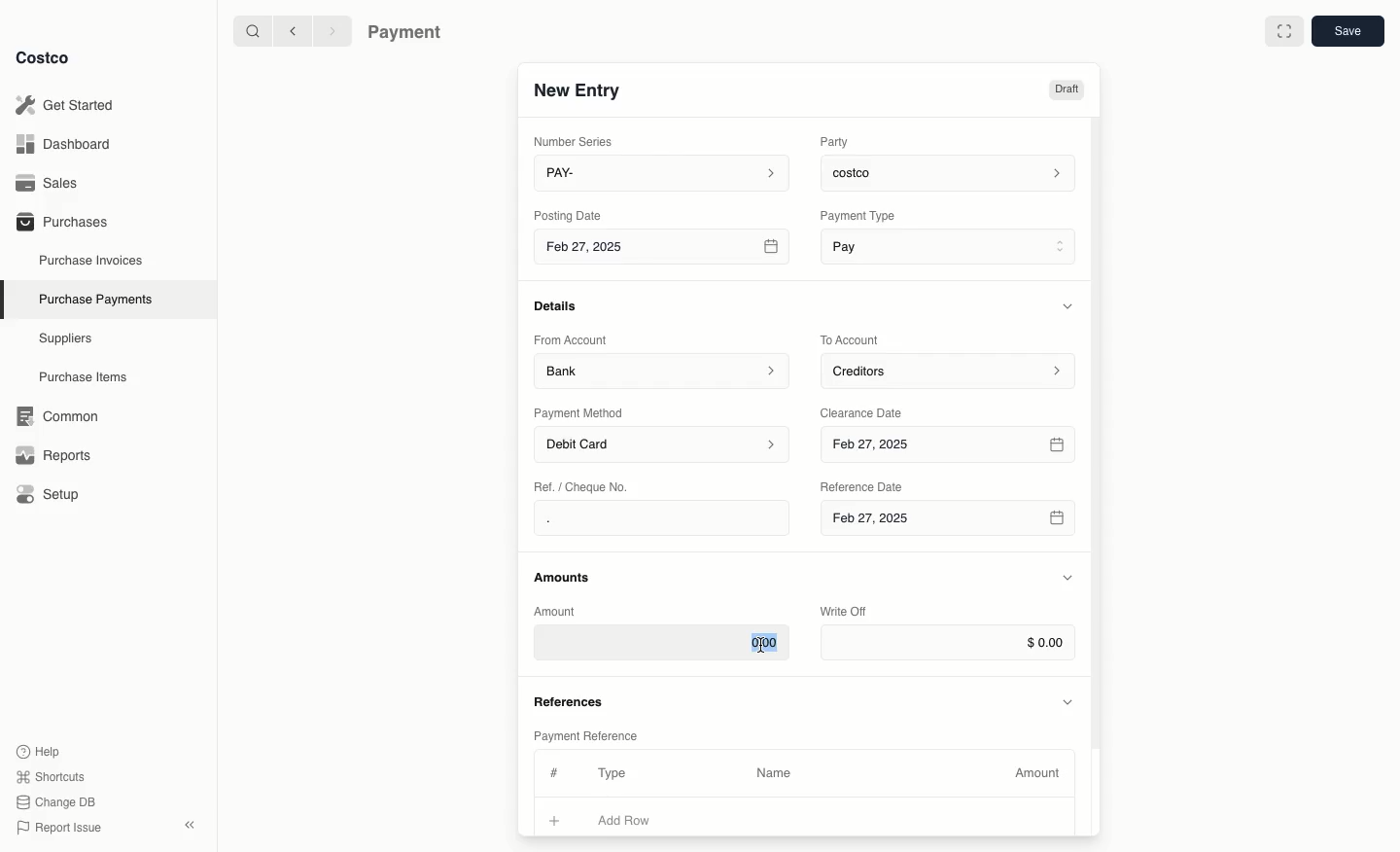 This screenshot has width=1400, height=852. Describe the element at coordinates (409, 34) in the screenshot. I see `Payment` at that location.